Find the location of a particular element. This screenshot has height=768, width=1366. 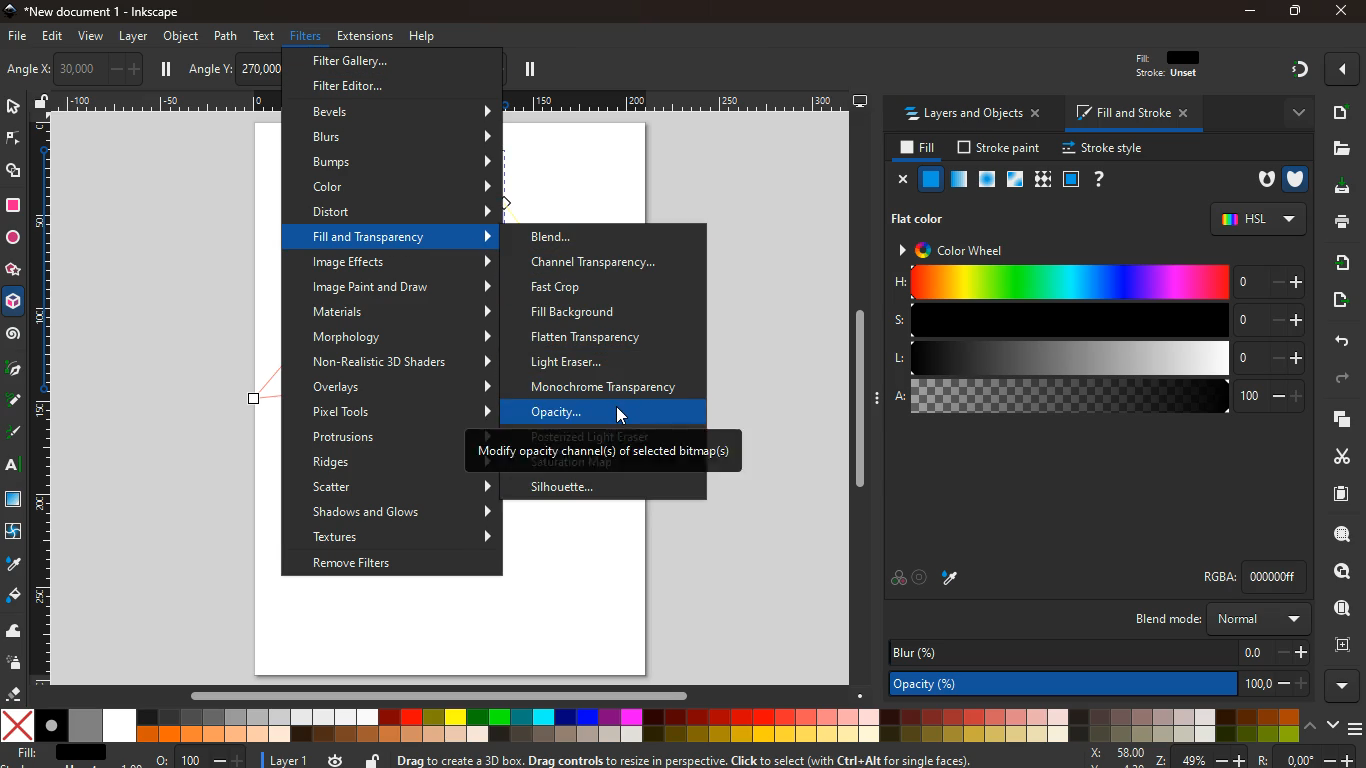

image effects is located at coordinates (401, 262).